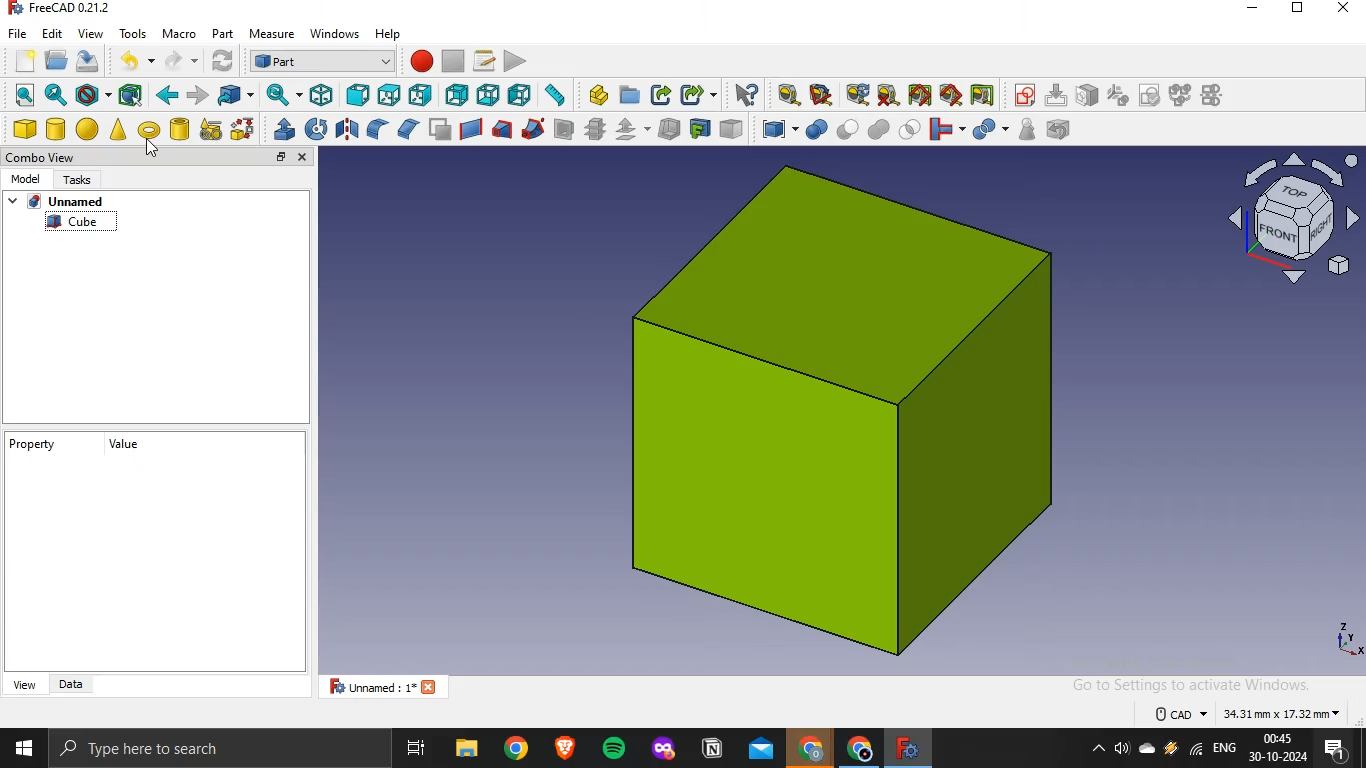  I want to click on volume, so click(1121, 749).